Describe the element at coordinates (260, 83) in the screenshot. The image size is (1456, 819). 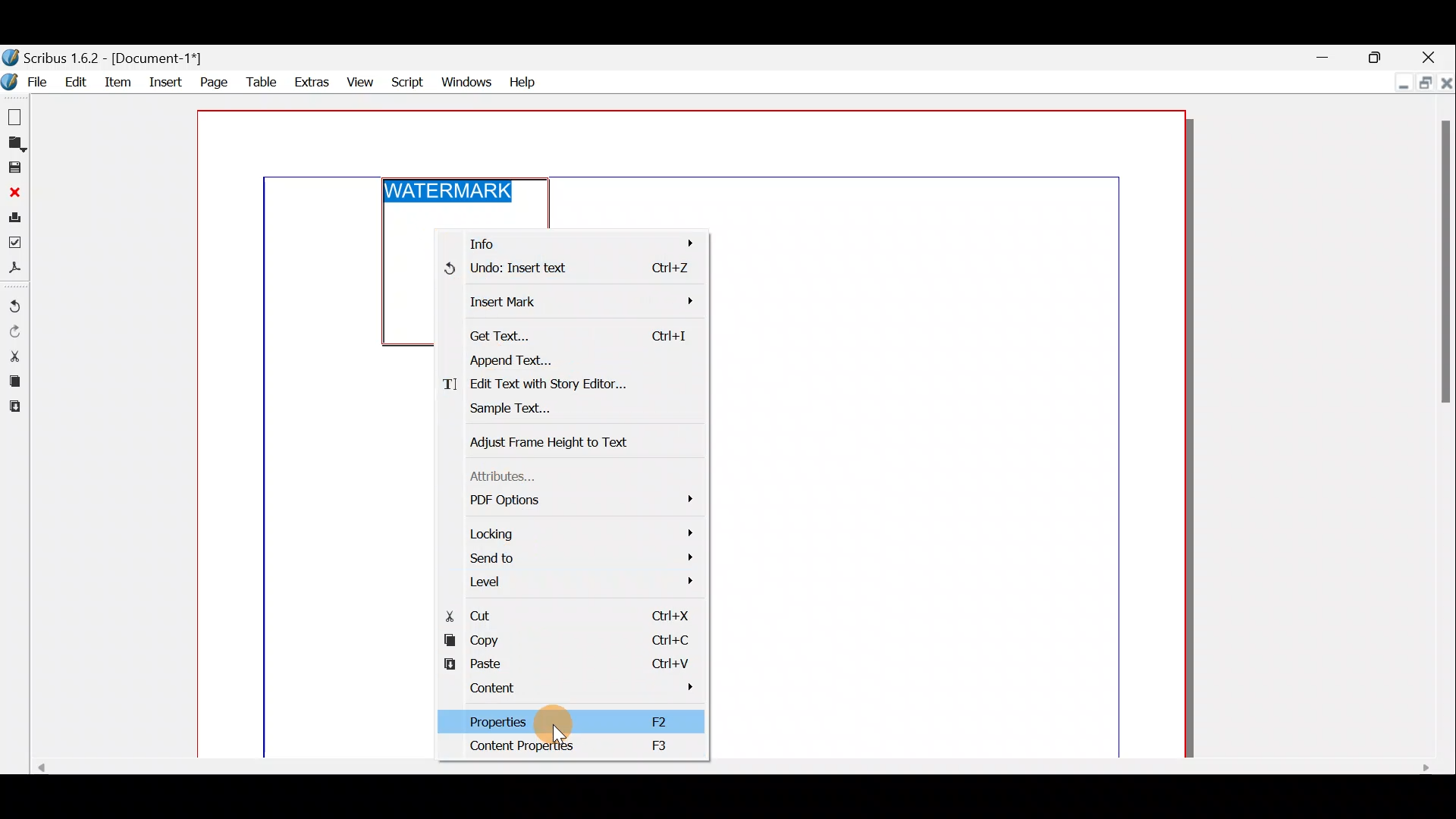
I see `Table` at that location.